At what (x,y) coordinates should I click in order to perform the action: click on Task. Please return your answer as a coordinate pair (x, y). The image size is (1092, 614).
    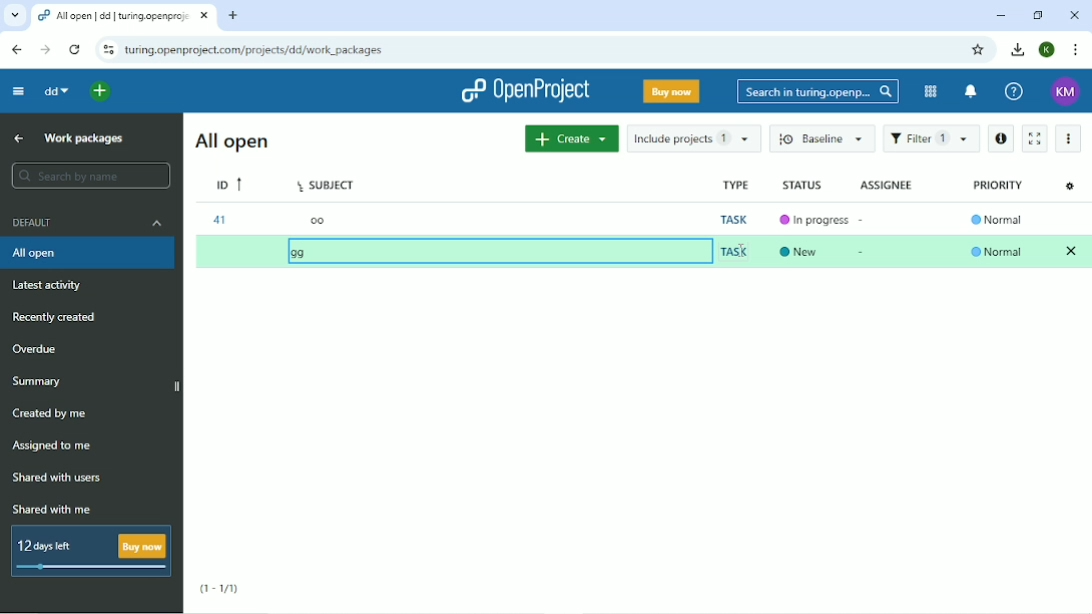
    Looking at the image, I should click on (732, 218).